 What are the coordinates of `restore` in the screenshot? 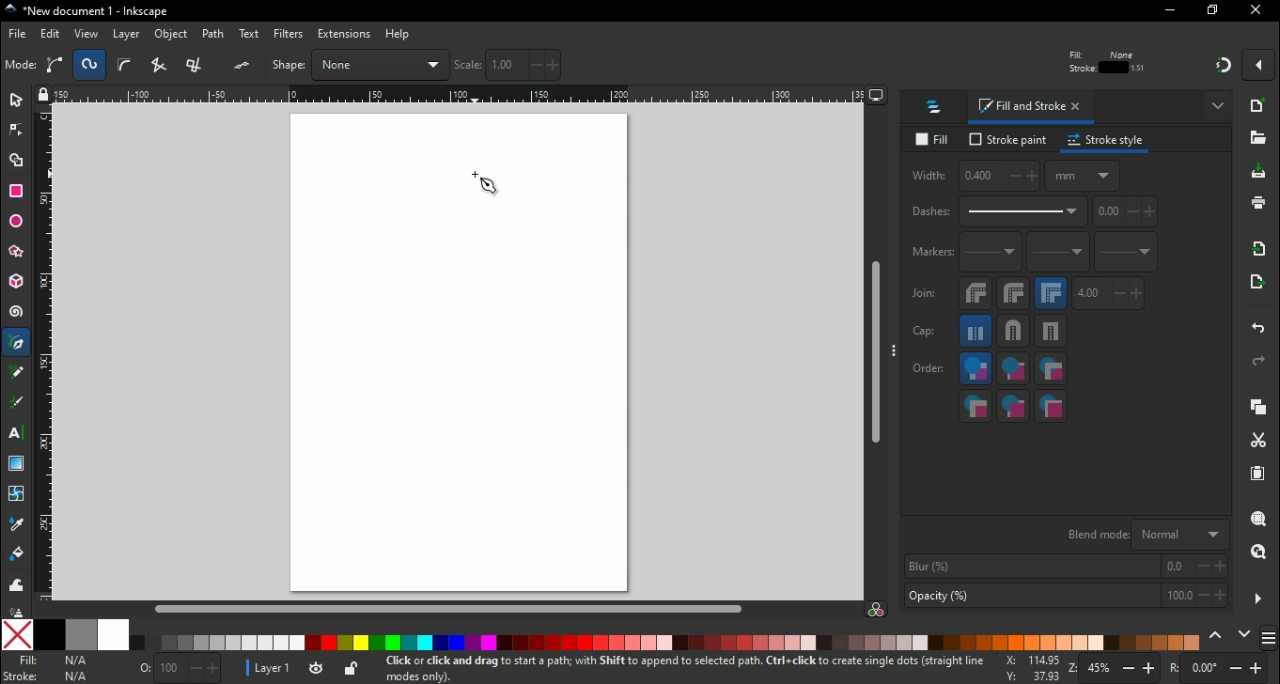 It's located at (1214, 12).